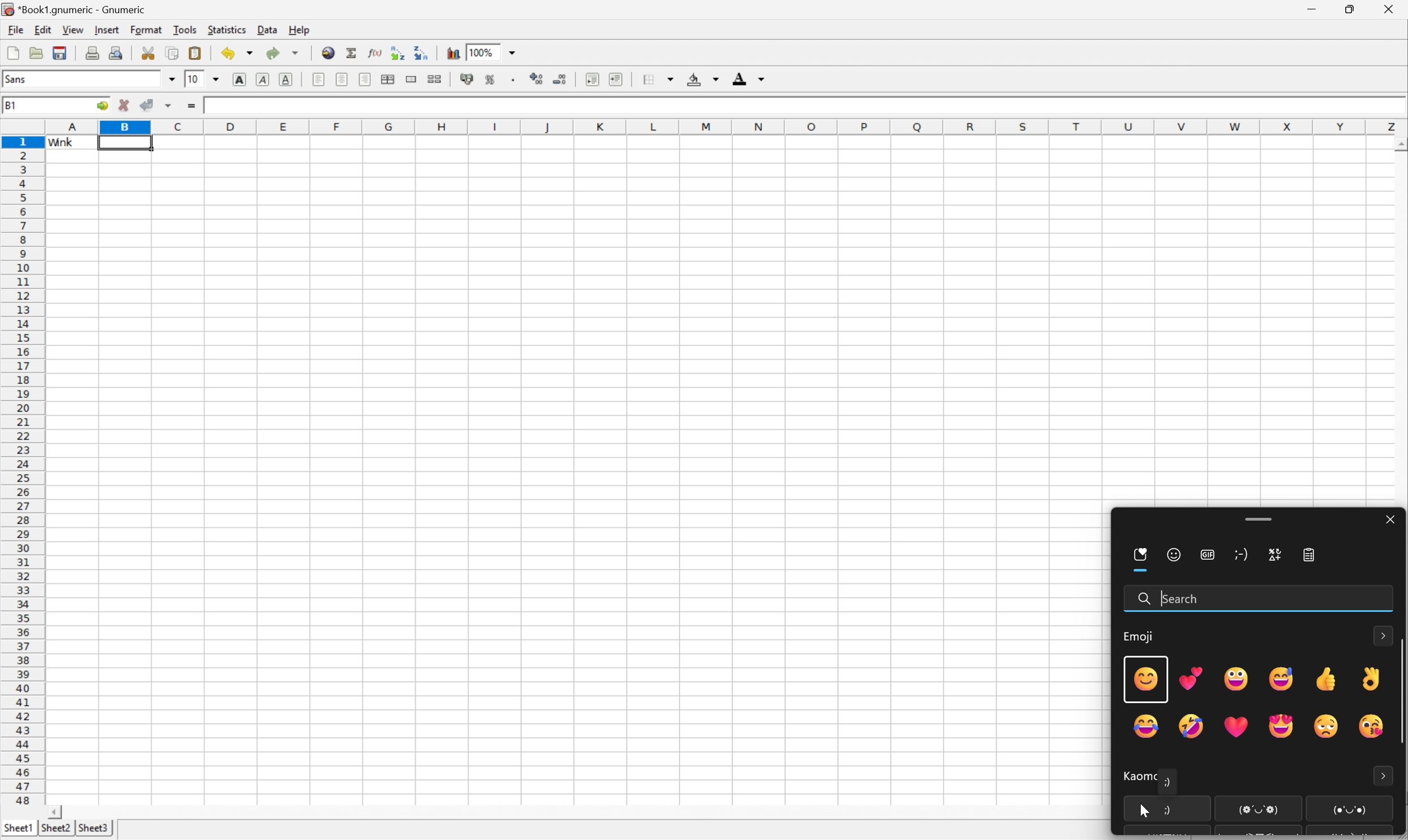  Describe the element at coordinates (1302, 809) in the screenshot. I see `kaomoji` at that location.